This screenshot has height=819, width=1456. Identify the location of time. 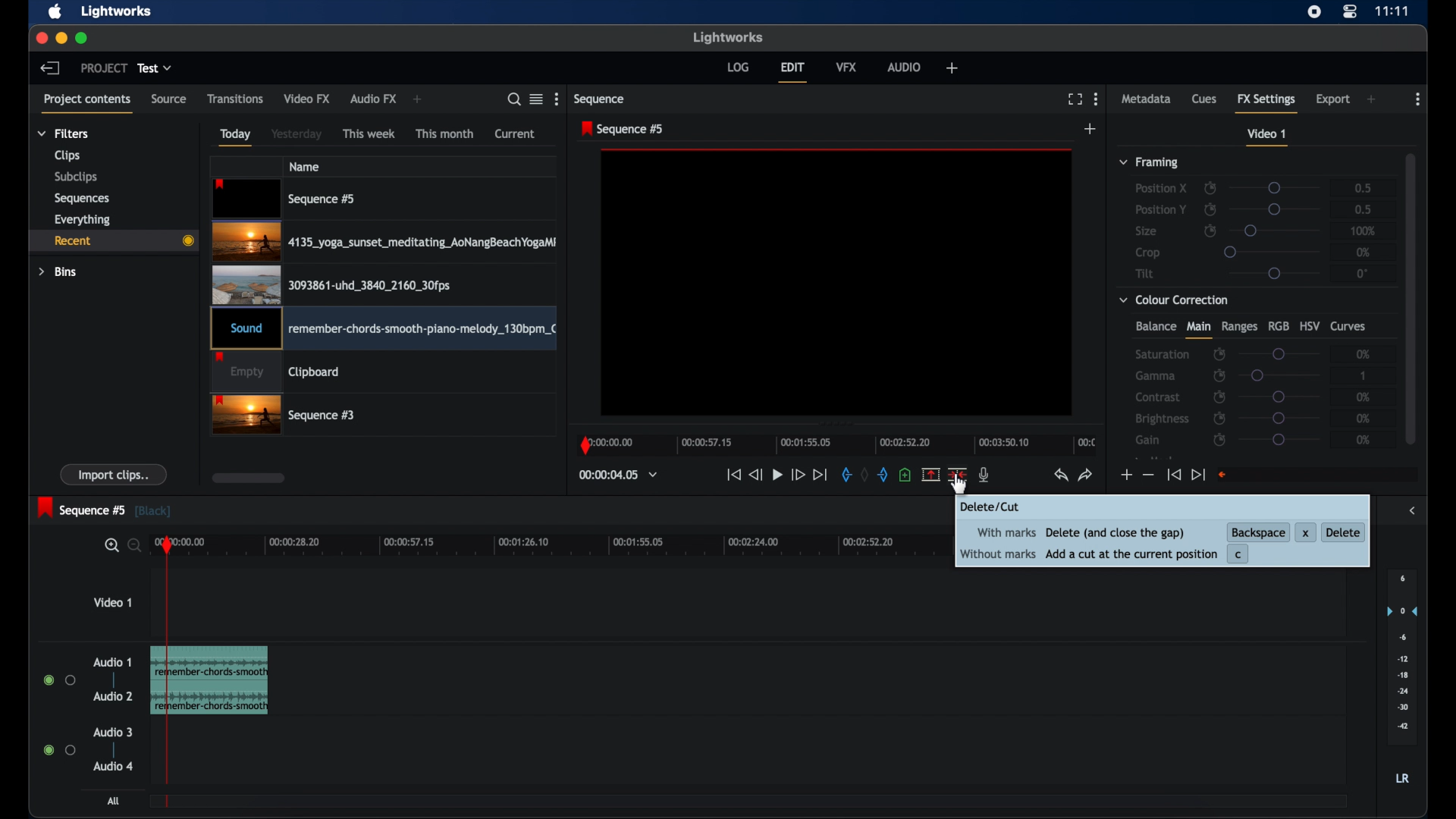
(1392, 11).